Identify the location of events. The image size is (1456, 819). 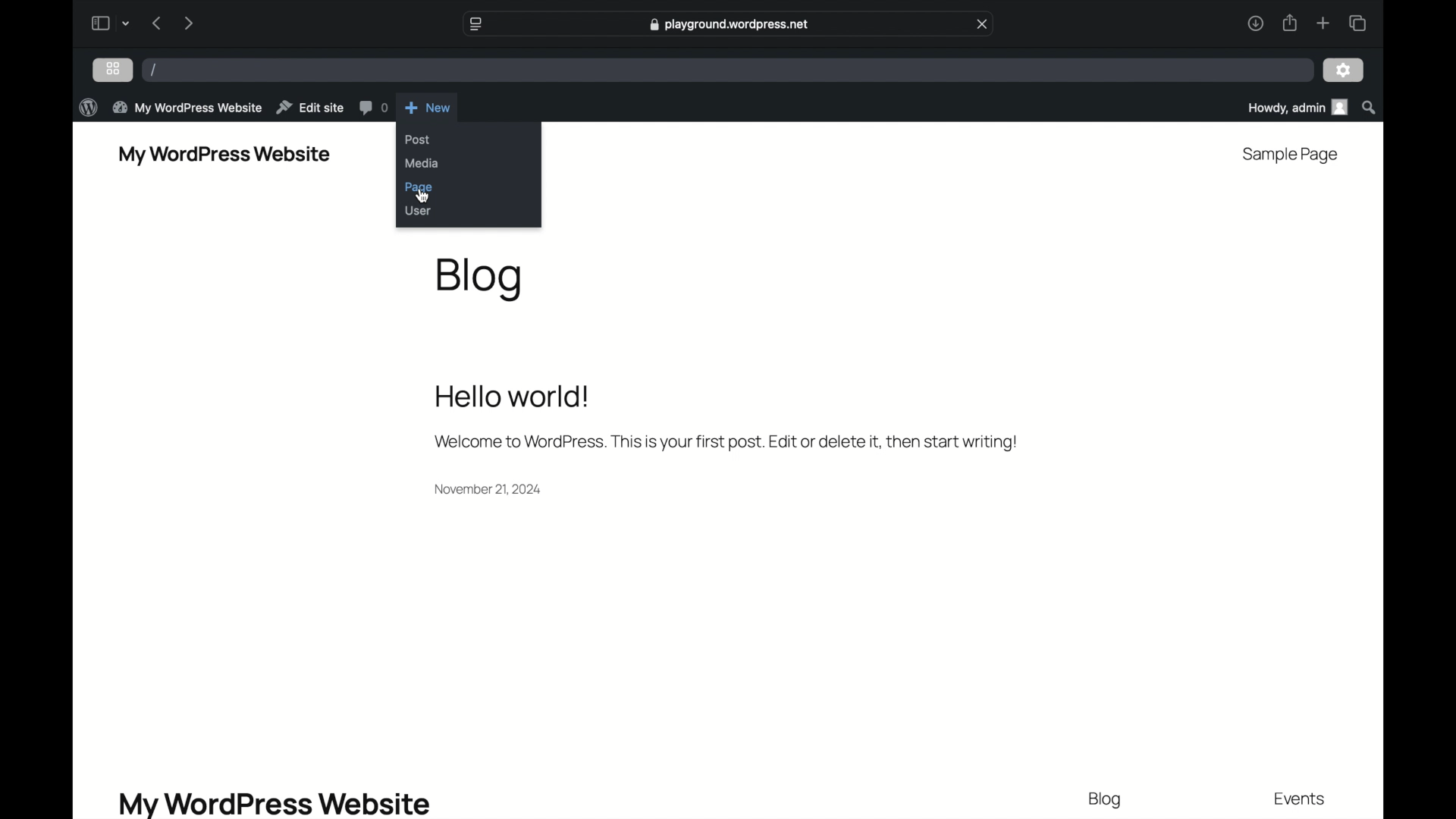
(1301, 799).